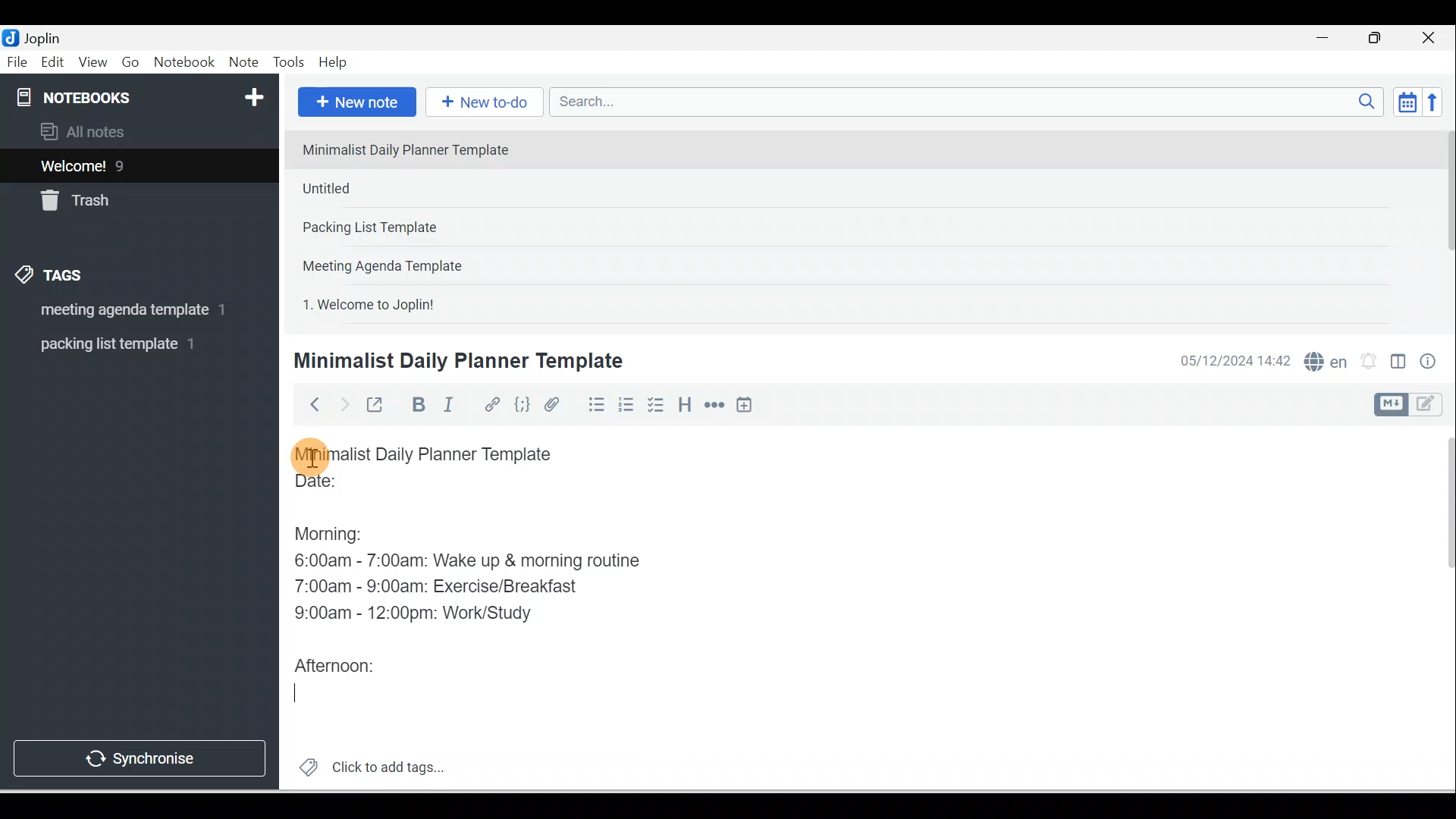  What do you see at coordinates (133, 63) in the screenshot?
I see `Go` at bounding box center [133, 63].